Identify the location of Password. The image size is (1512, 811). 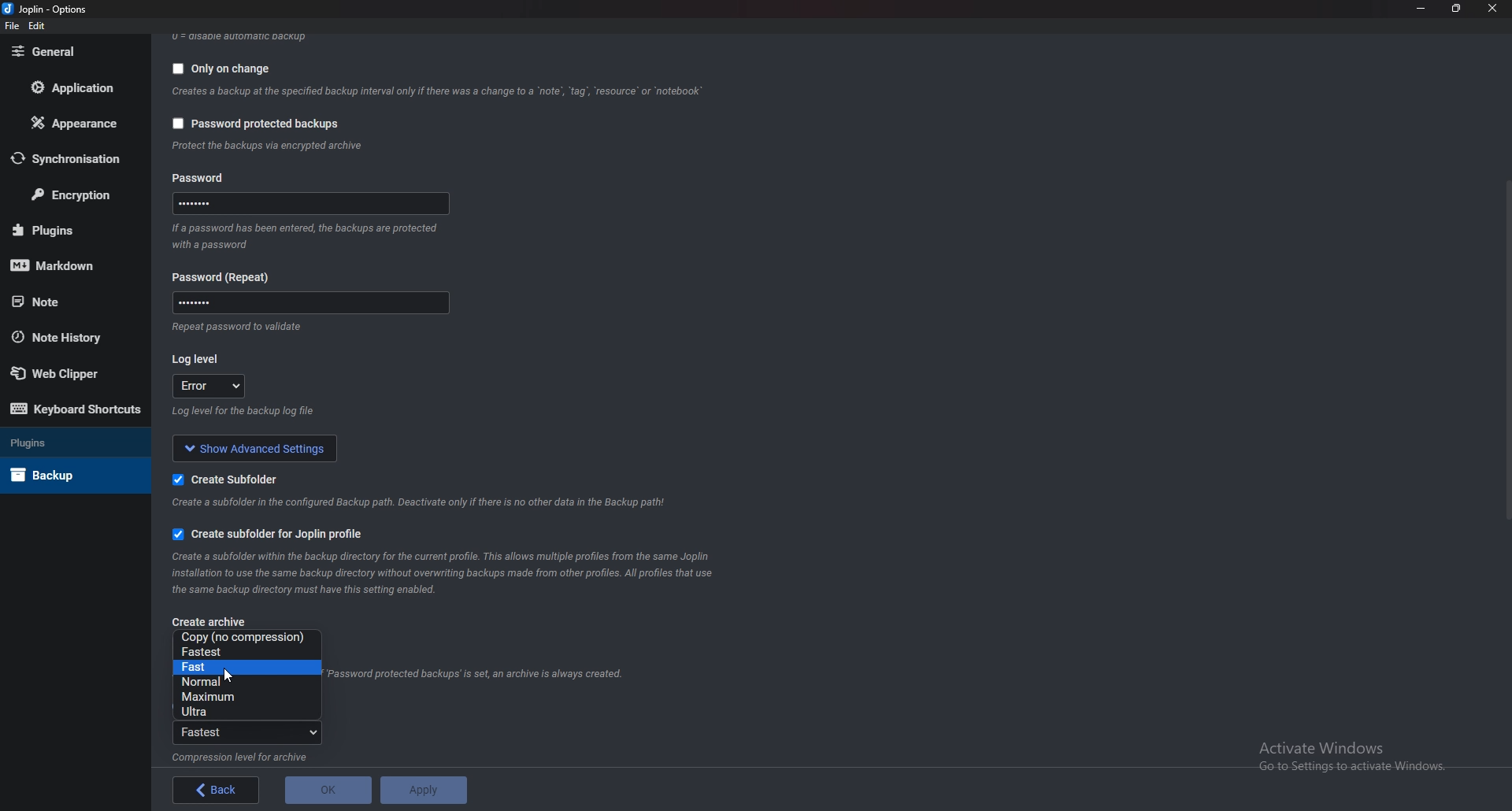
(224, 277).